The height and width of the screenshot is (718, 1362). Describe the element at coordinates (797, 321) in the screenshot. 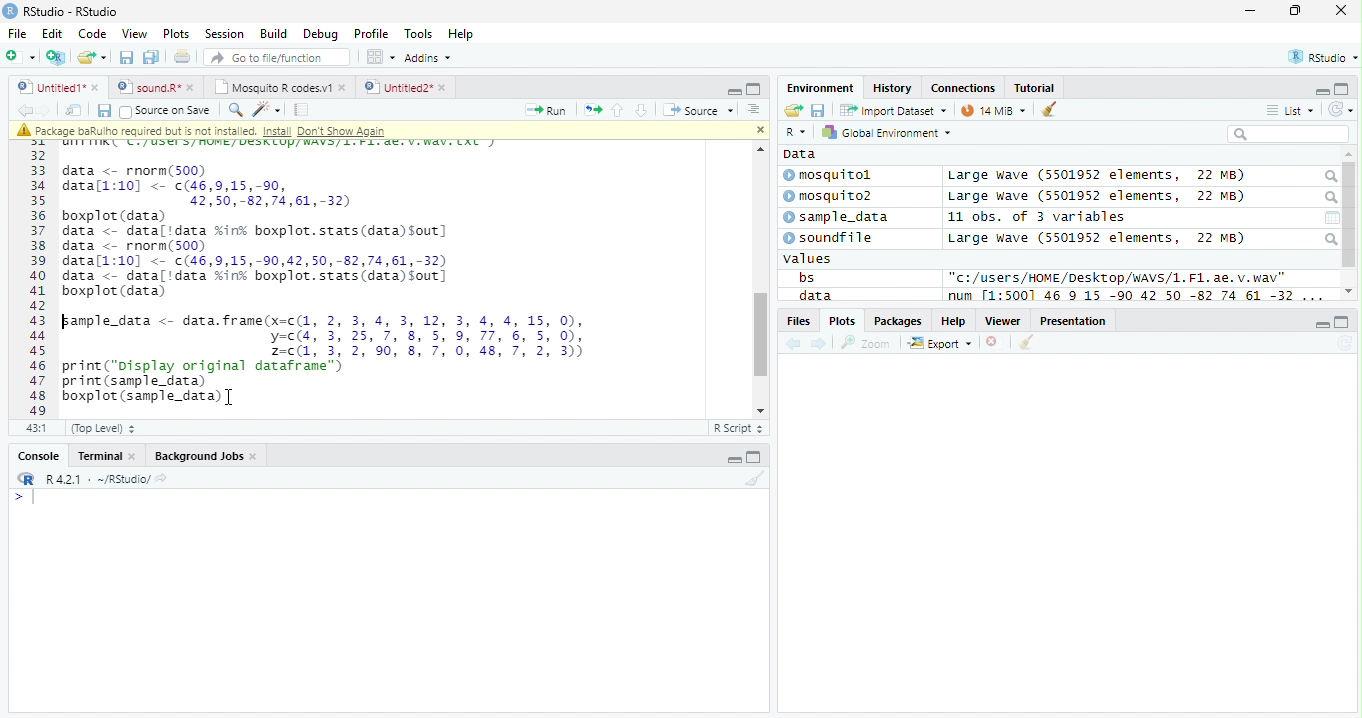

I see `Files` at that location.